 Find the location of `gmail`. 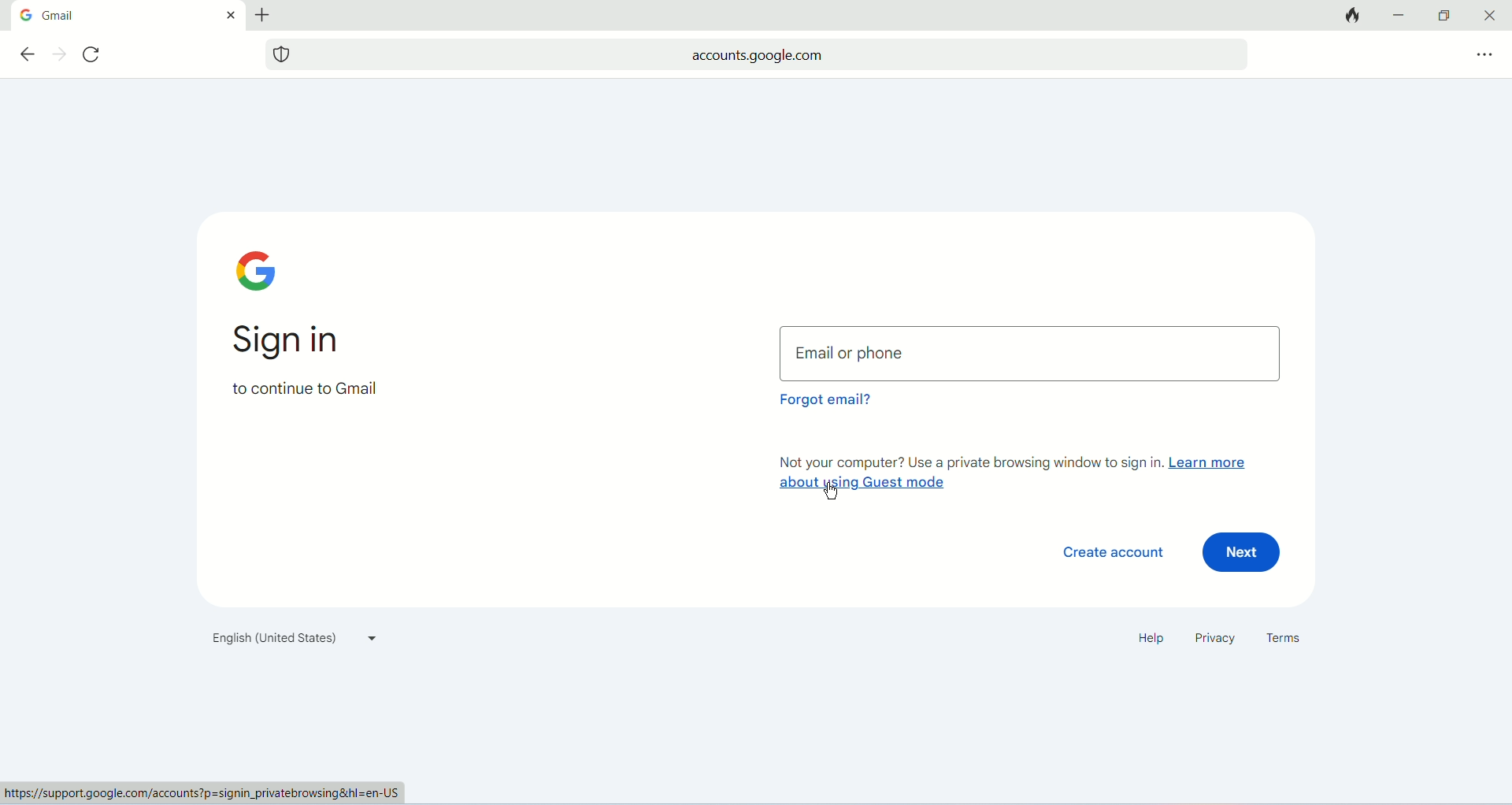

gmail is located at coordinates (124, 16).